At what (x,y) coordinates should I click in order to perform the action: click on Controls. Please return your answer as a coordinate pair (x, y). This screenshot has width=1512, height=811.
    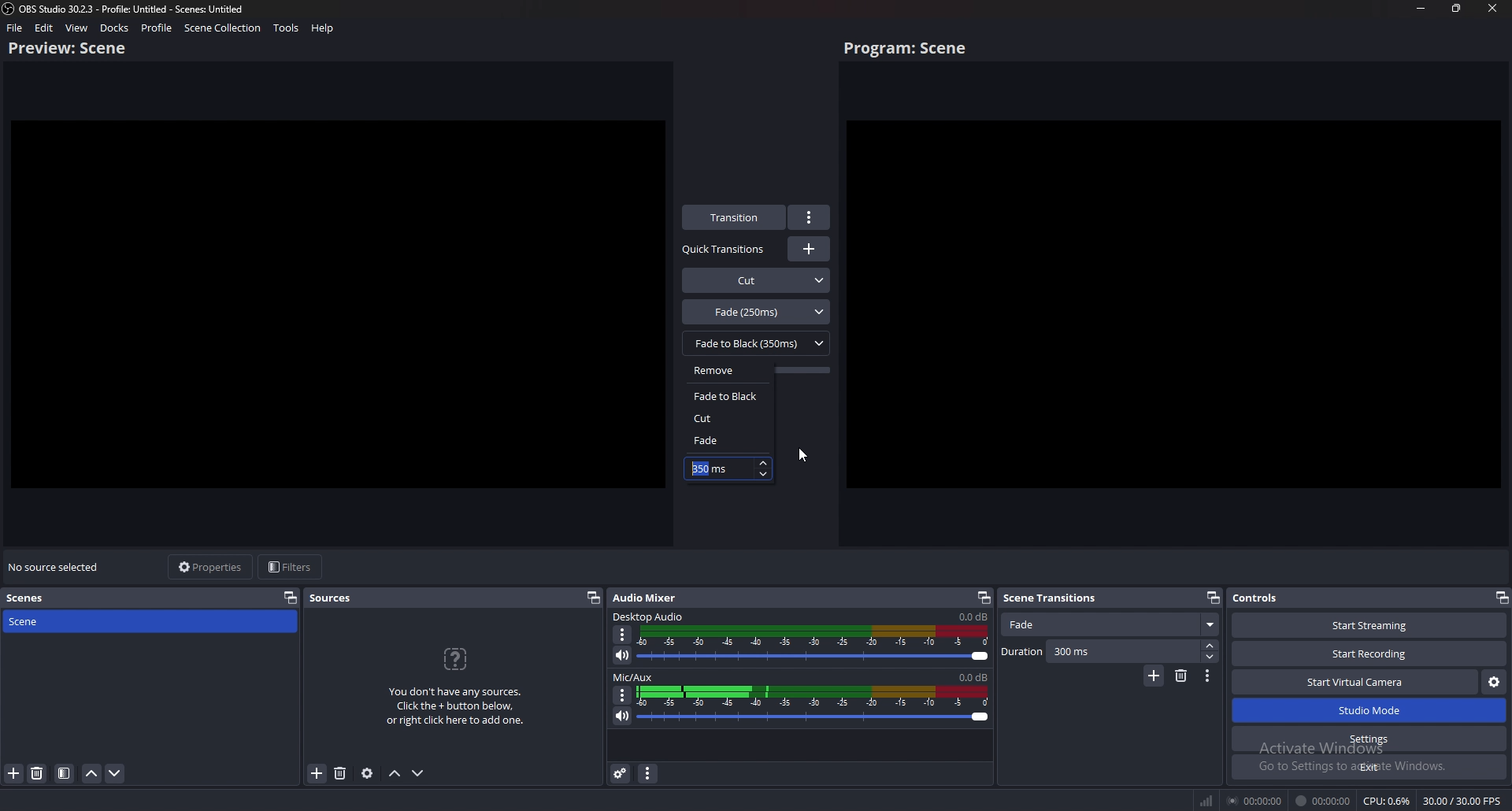
    Looking at the image, I should click on (1279, 598).